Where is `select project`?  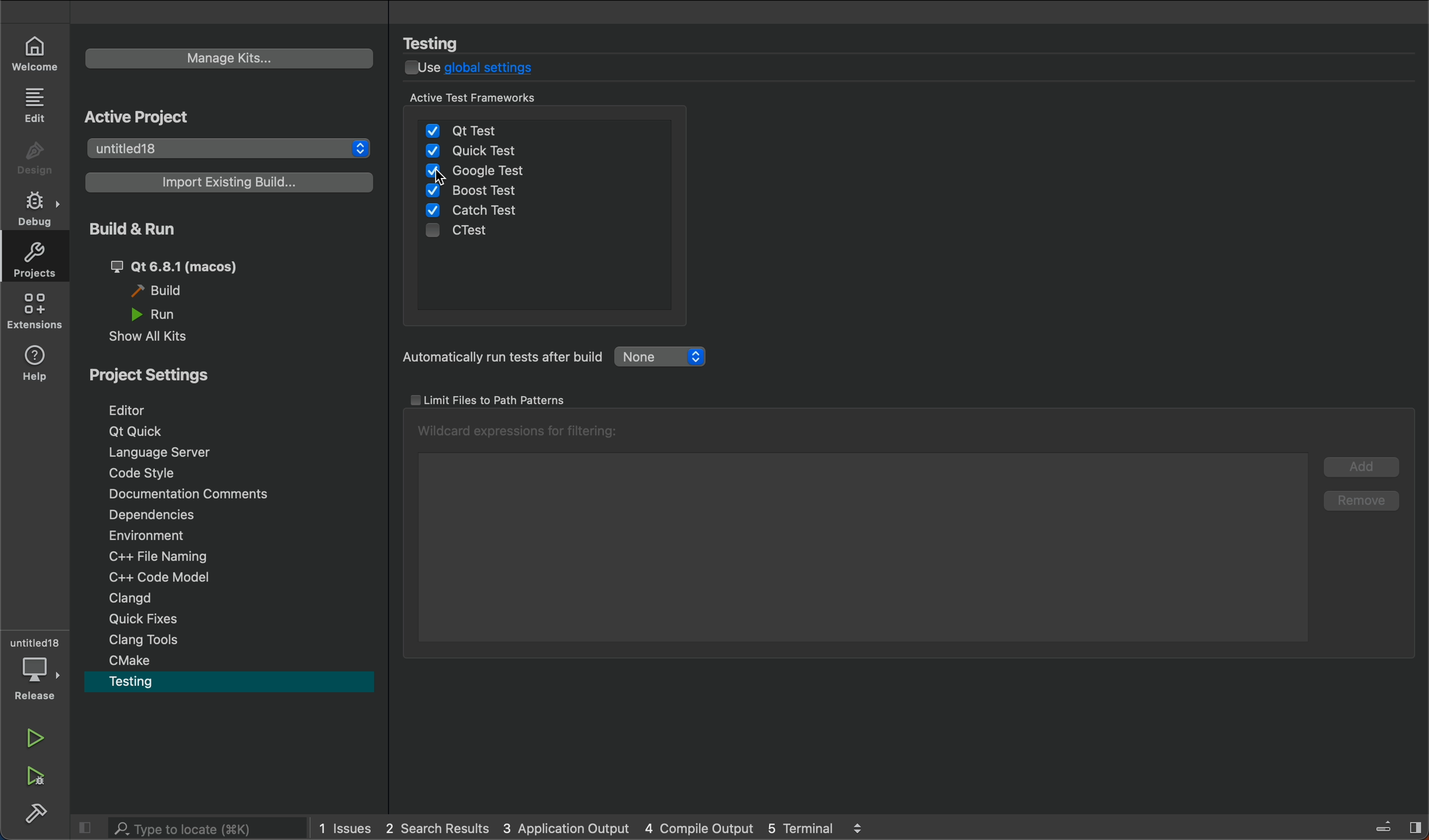
select project is located at coordinates (231, 146).